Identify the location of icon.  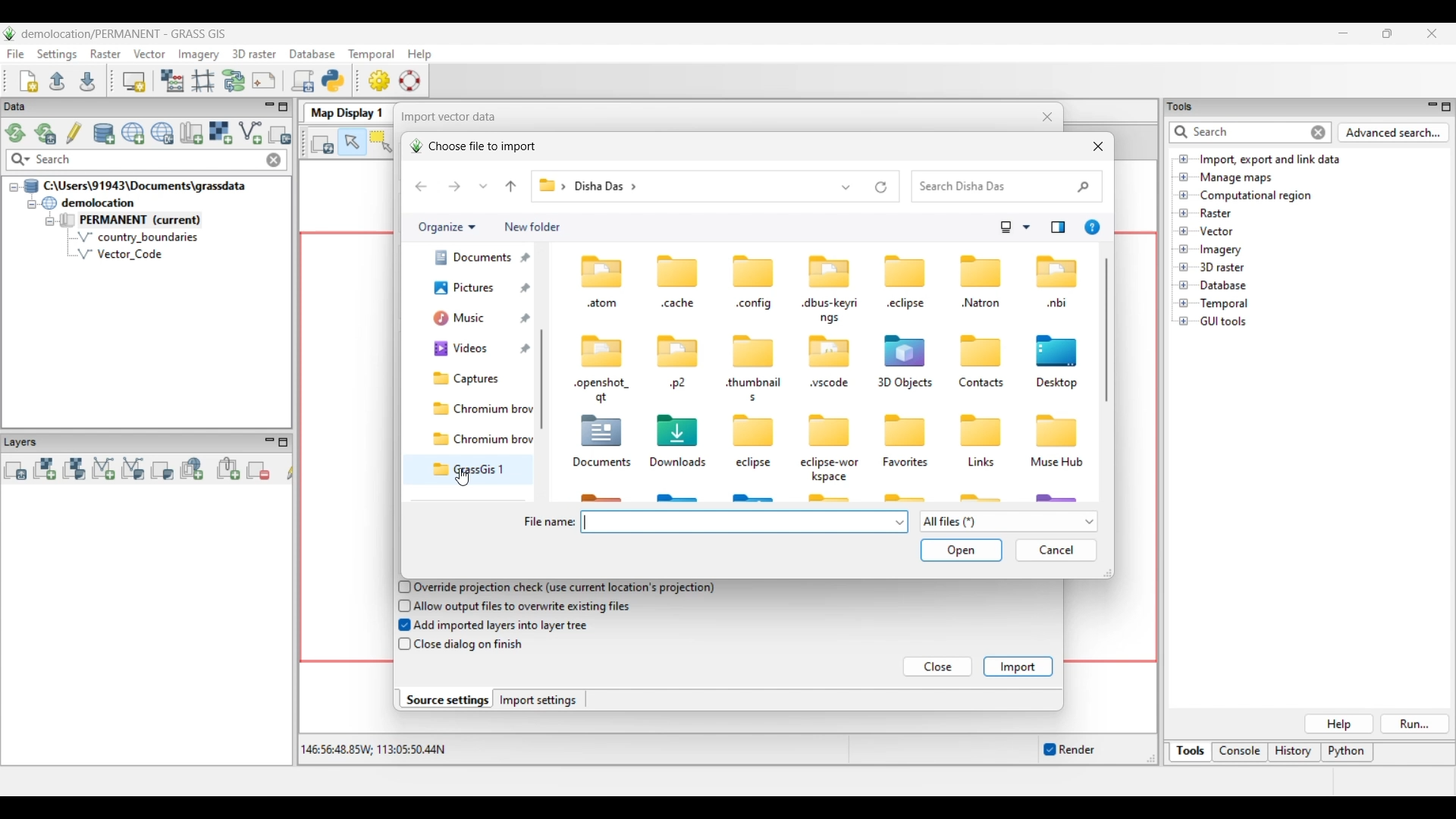
(679, 270).